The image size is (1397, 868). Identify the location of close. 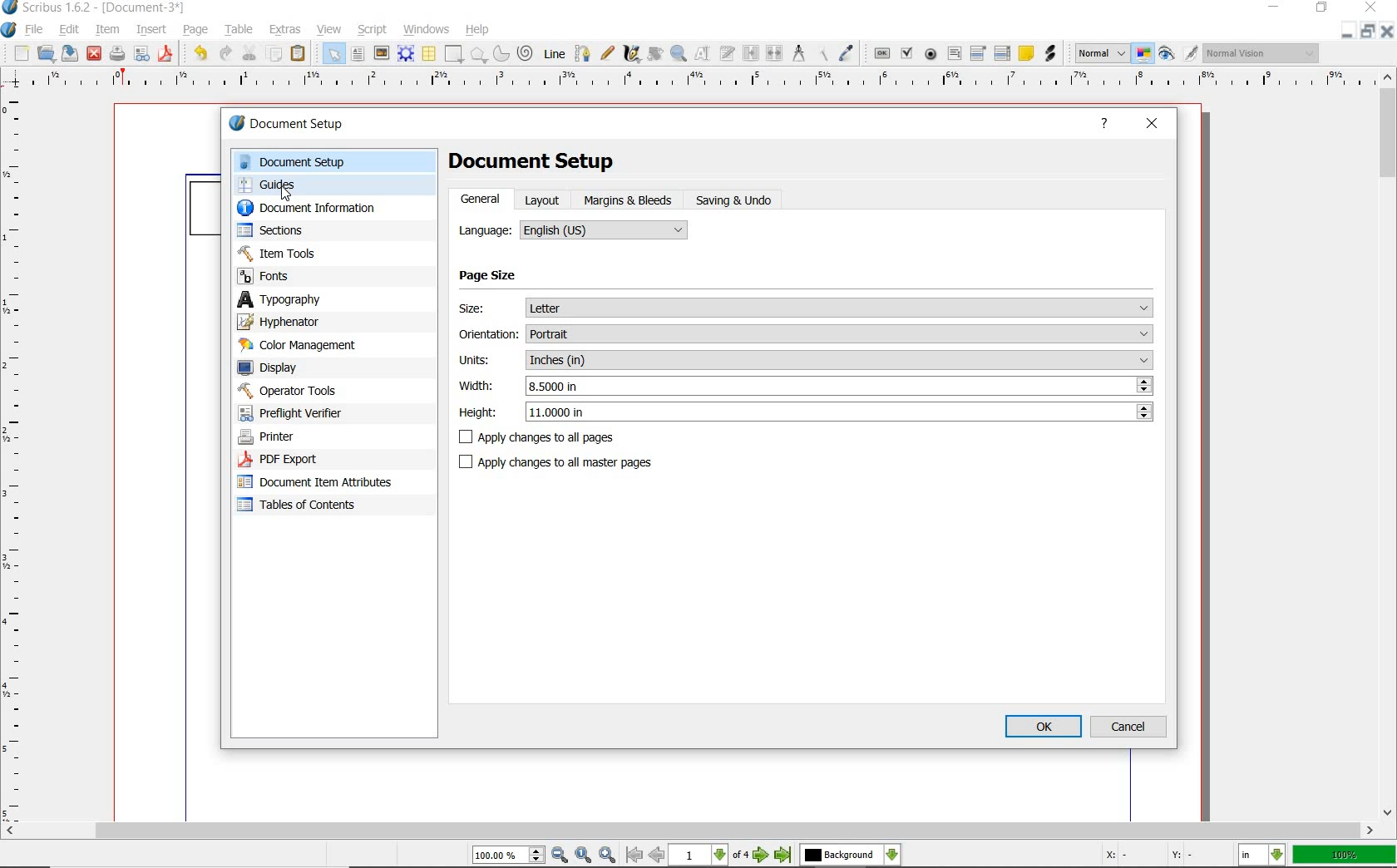
(1389, 31).